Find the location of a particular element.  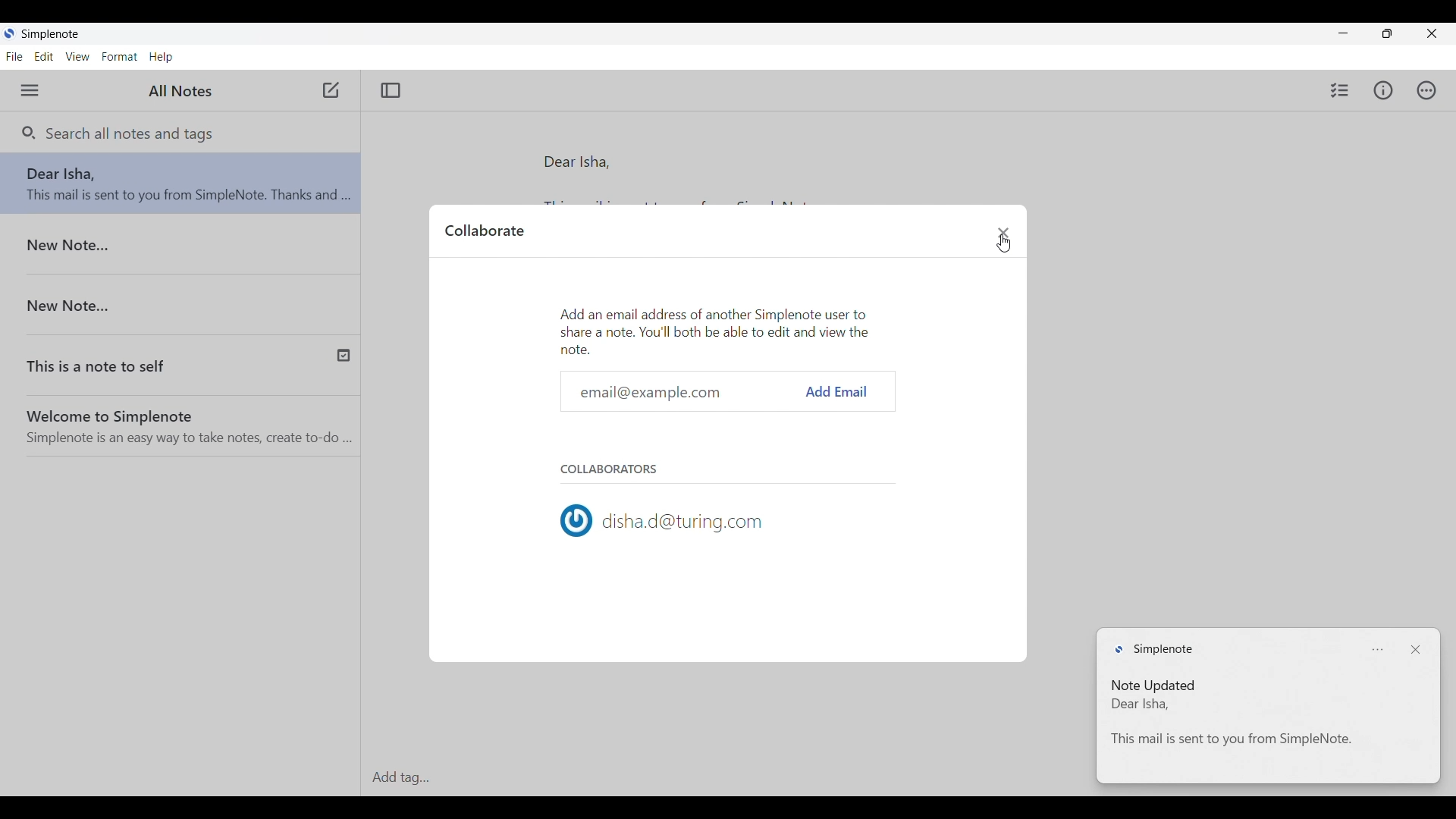

Close  is located at coordinates (1419, 649).